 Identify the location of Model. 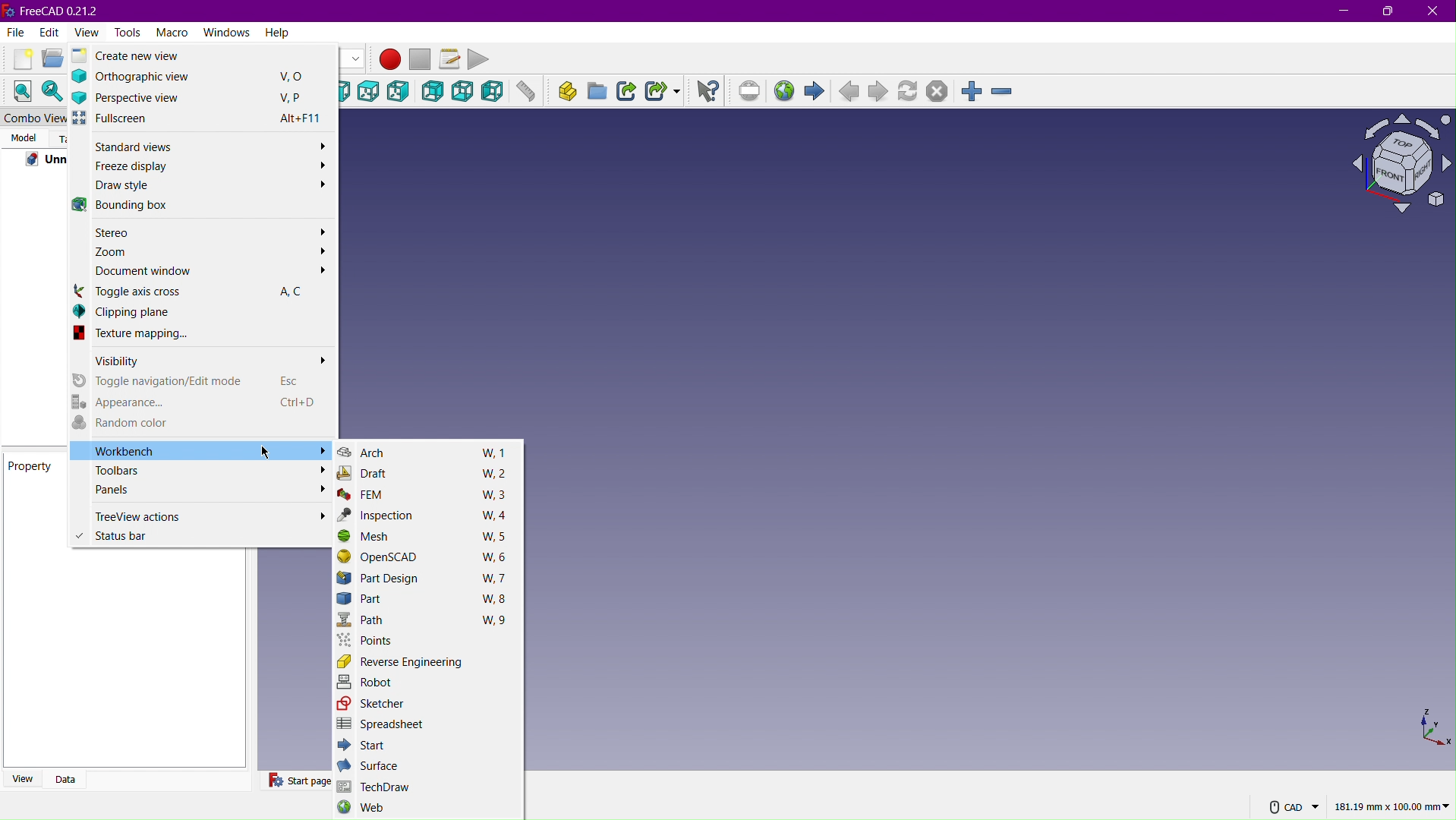
(24, 140).